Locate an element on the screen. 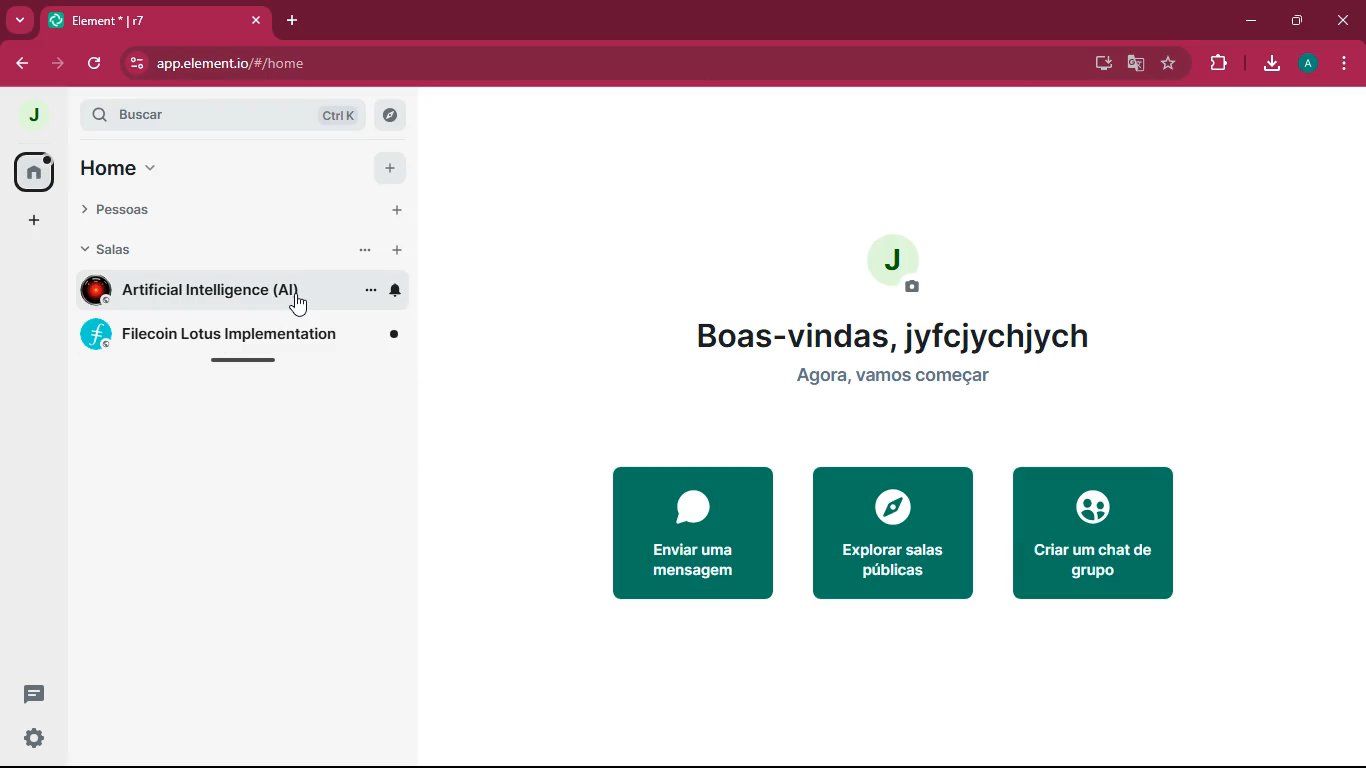 The height and width of the screenshot is (768, 1366). enviar uma mensagem is located at coordinates (690, 533).